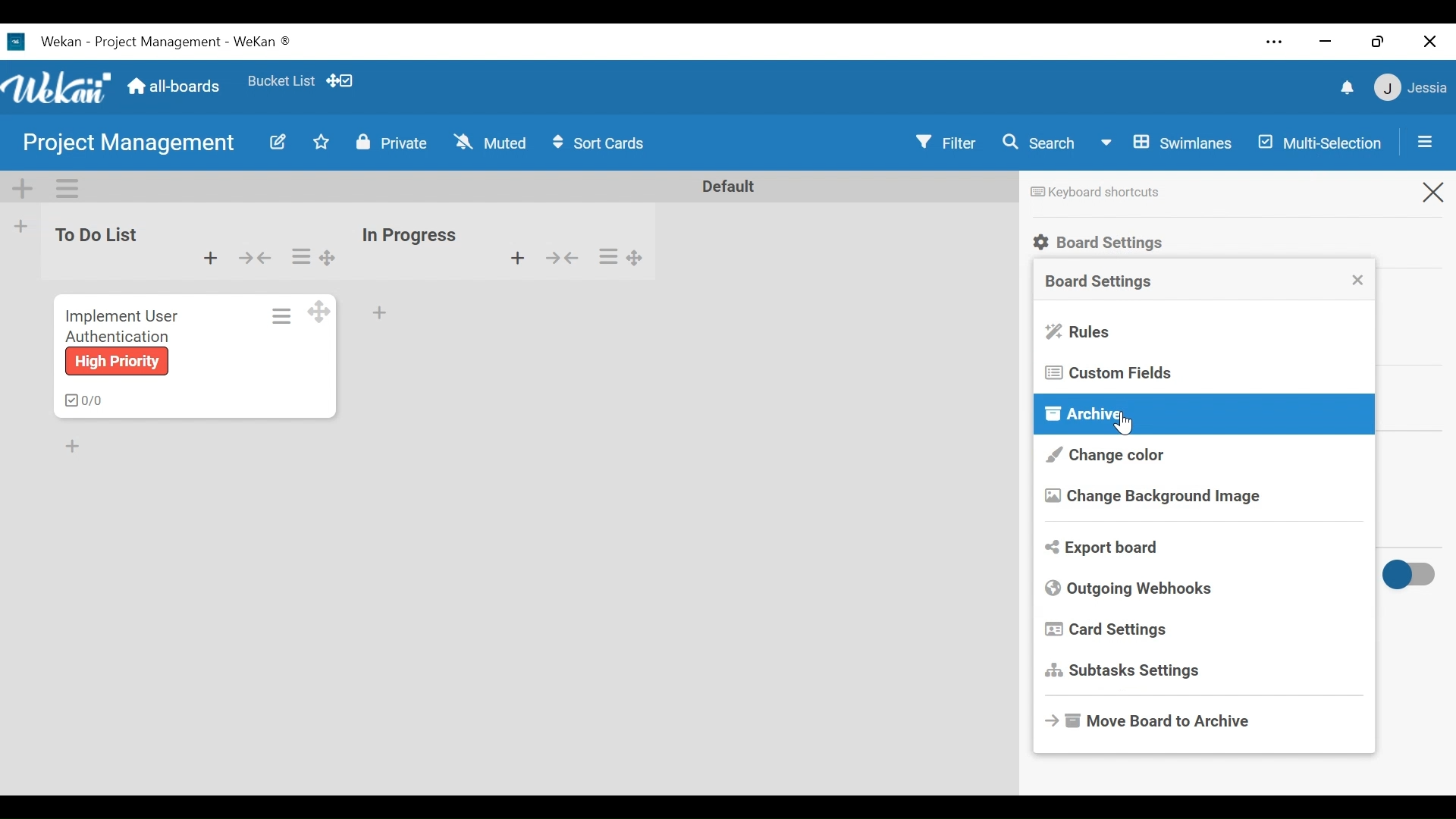 This screenshot has height=819, width=1456. Describe the element at coordinates (133, 143) in the screenshot. I see `Board Name` at that location.